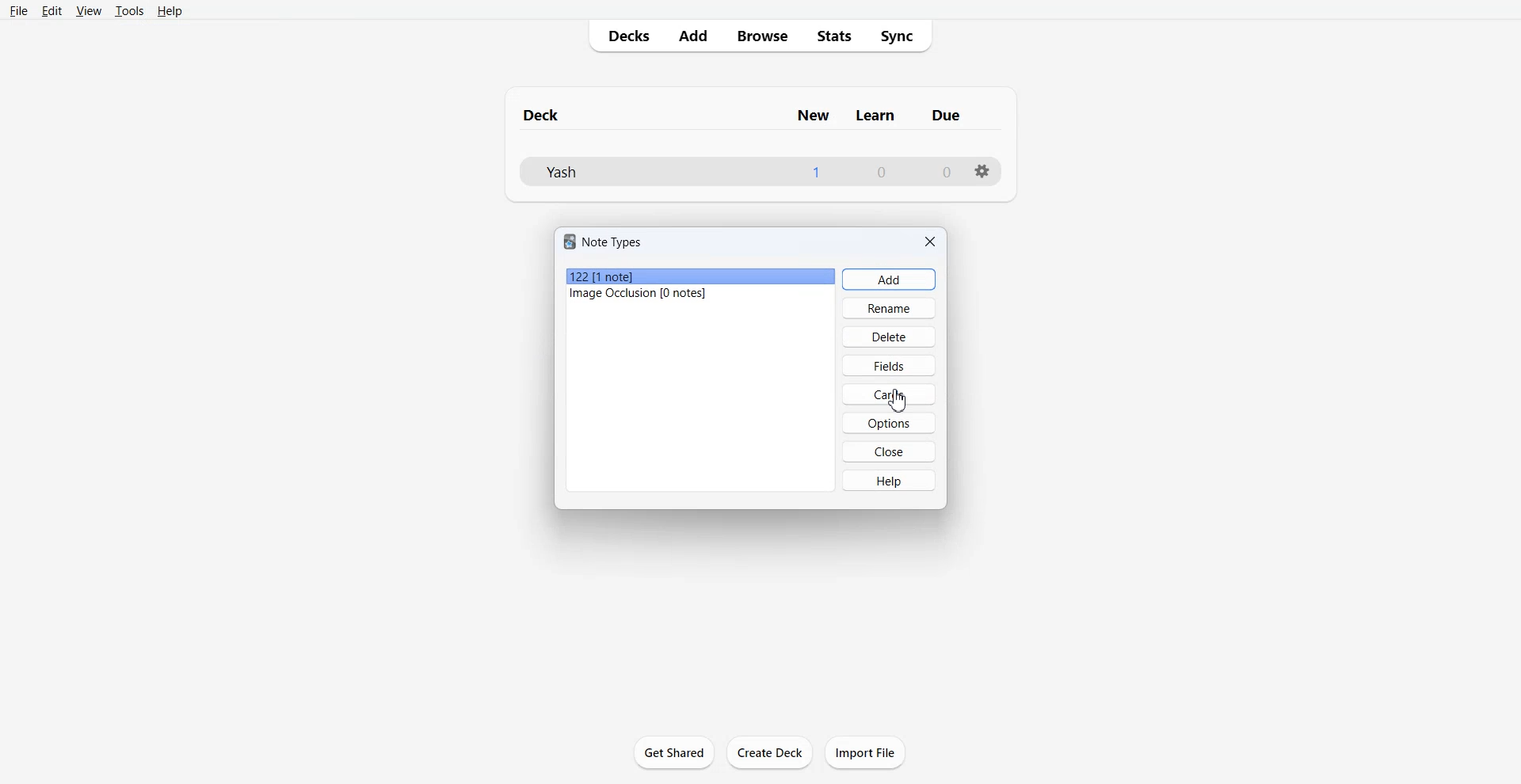 This screenshot has width=1521, height=784. What do you see at coordinates (890, 480) in the screenshot?
I see `Help` at bounding box center [890, 480].